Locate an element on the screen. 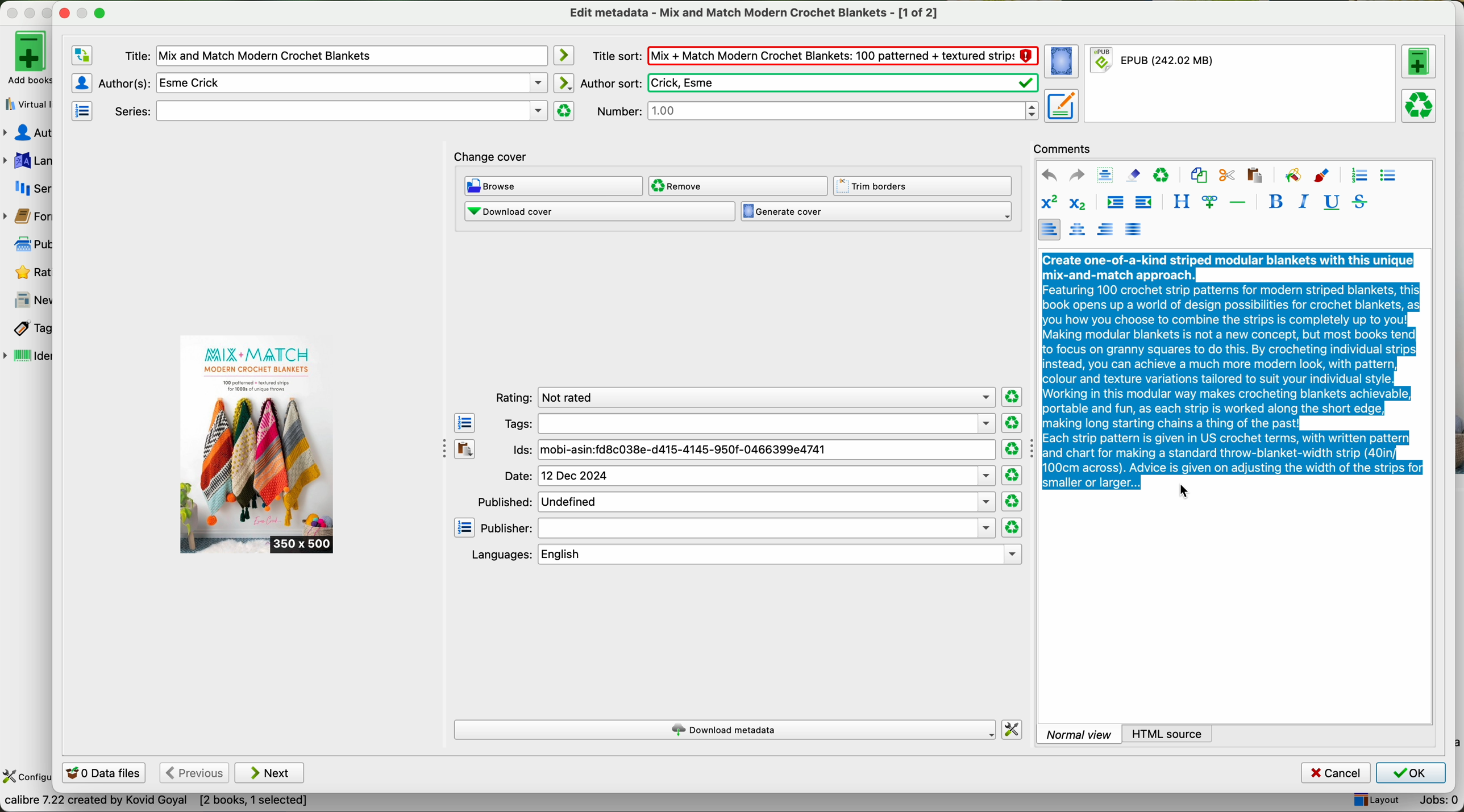  normal view is located at coordinates (1079, 734).